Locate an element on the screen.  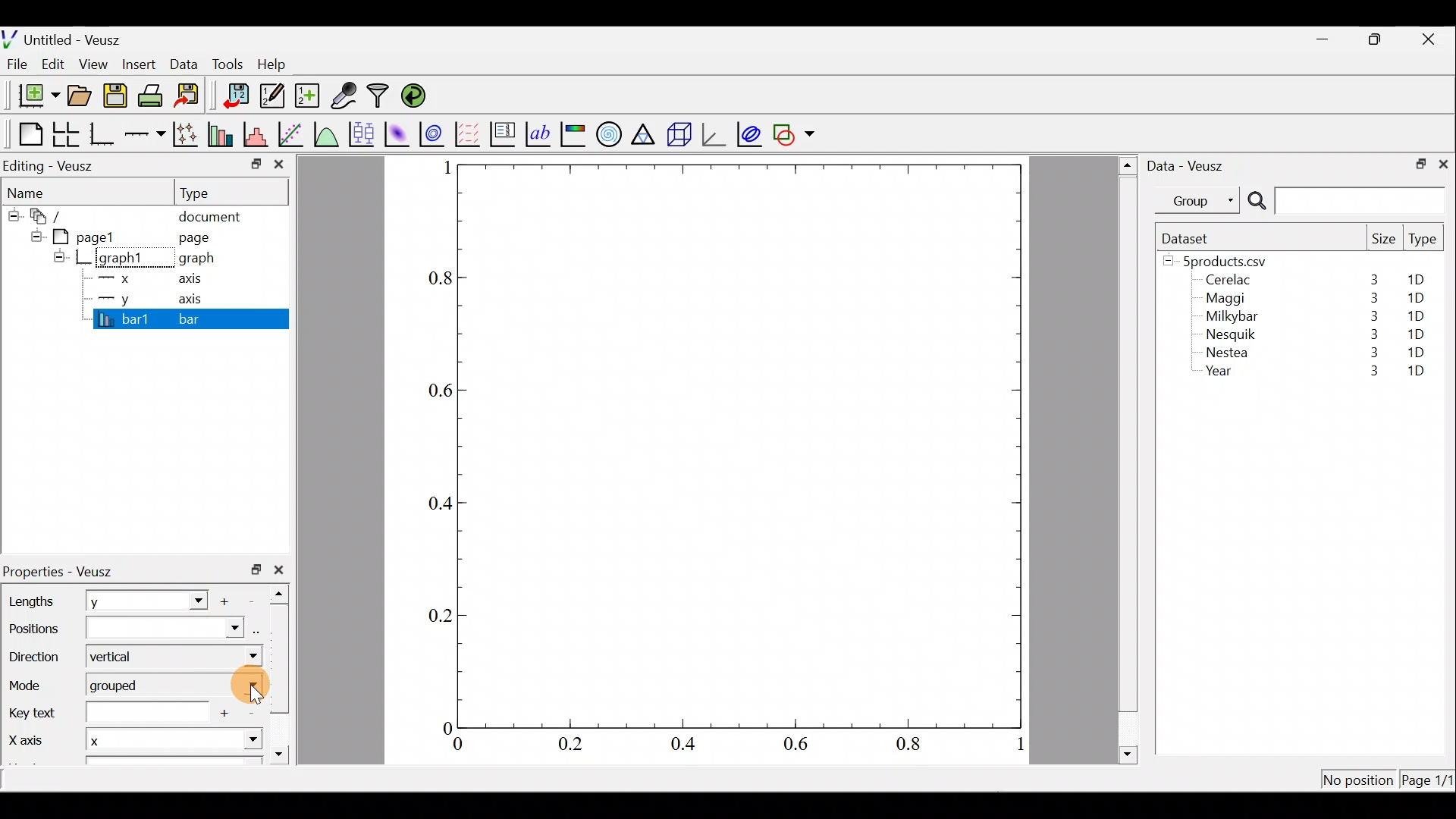
Edit is located at coordinates (53, 63).